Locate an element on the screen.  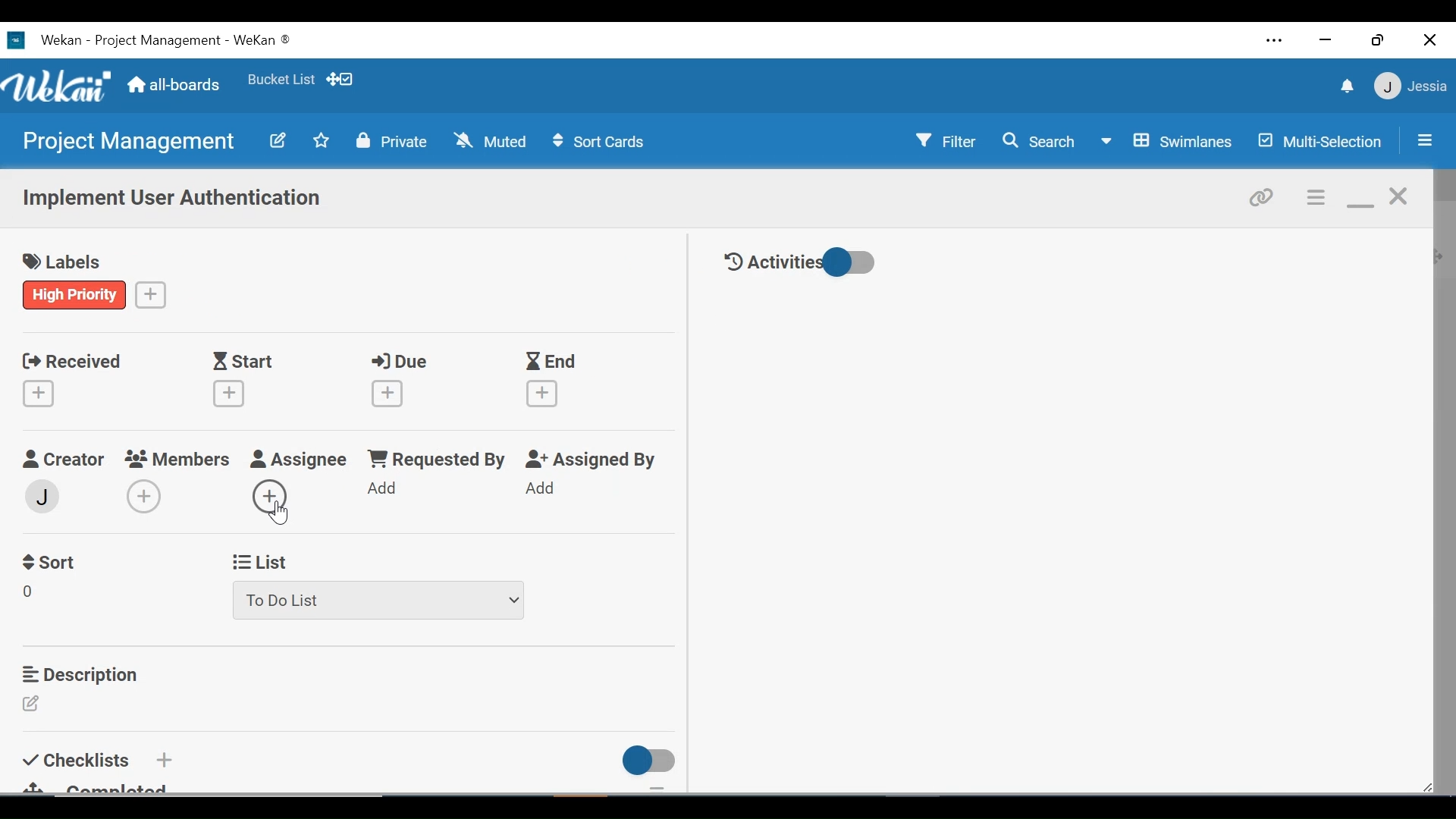
Creator is located at coordinates (62, 460).